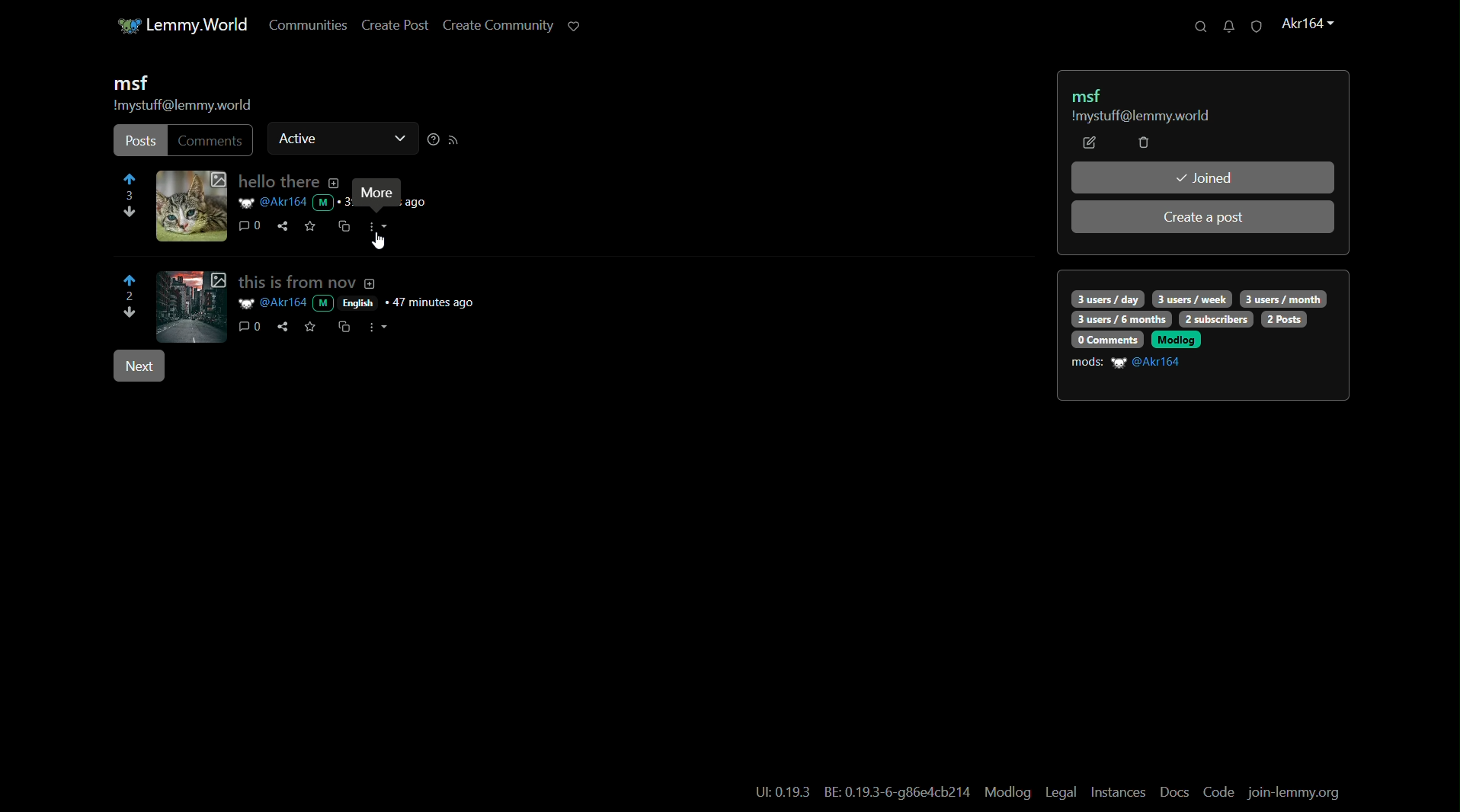 This screenshot has width=1460, height=812. I want to click on community name, so click(1091, 94).